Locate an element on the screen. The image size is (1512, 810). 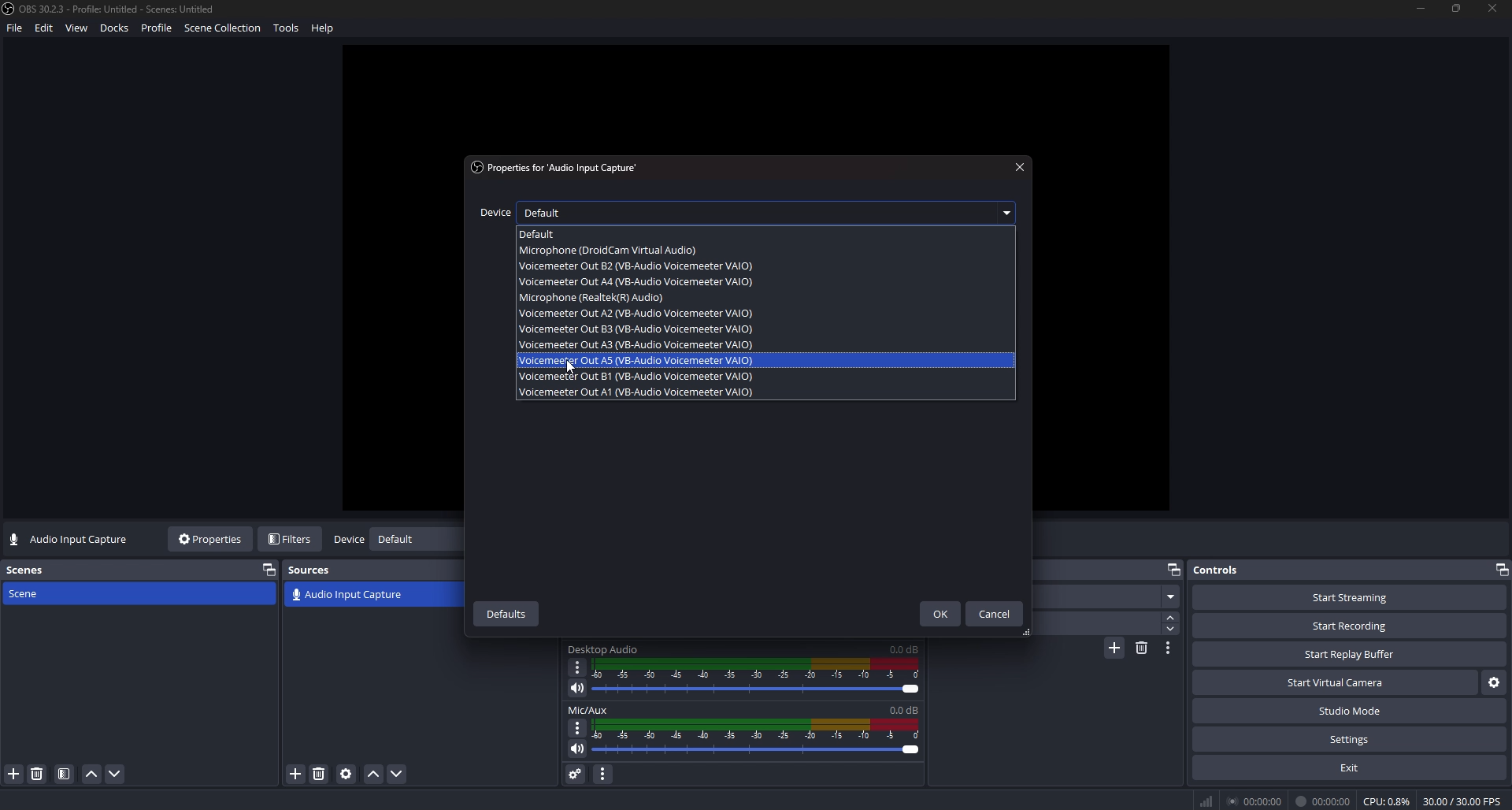
mic/aux is located at coordinates (604, 650).